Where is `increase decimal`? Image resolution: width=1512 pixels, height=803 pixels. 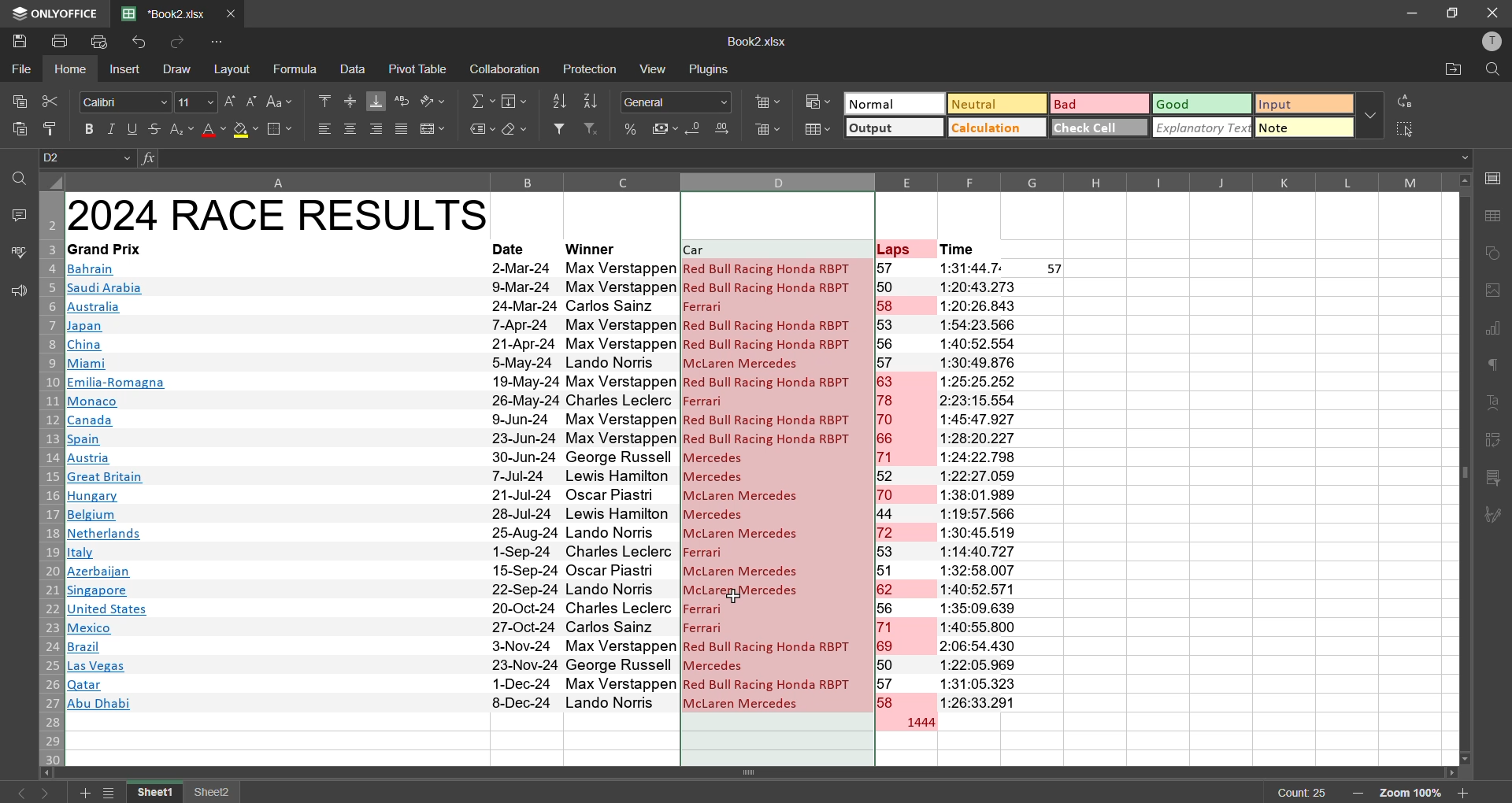 increase decimal is located at coordinates (724, 128).